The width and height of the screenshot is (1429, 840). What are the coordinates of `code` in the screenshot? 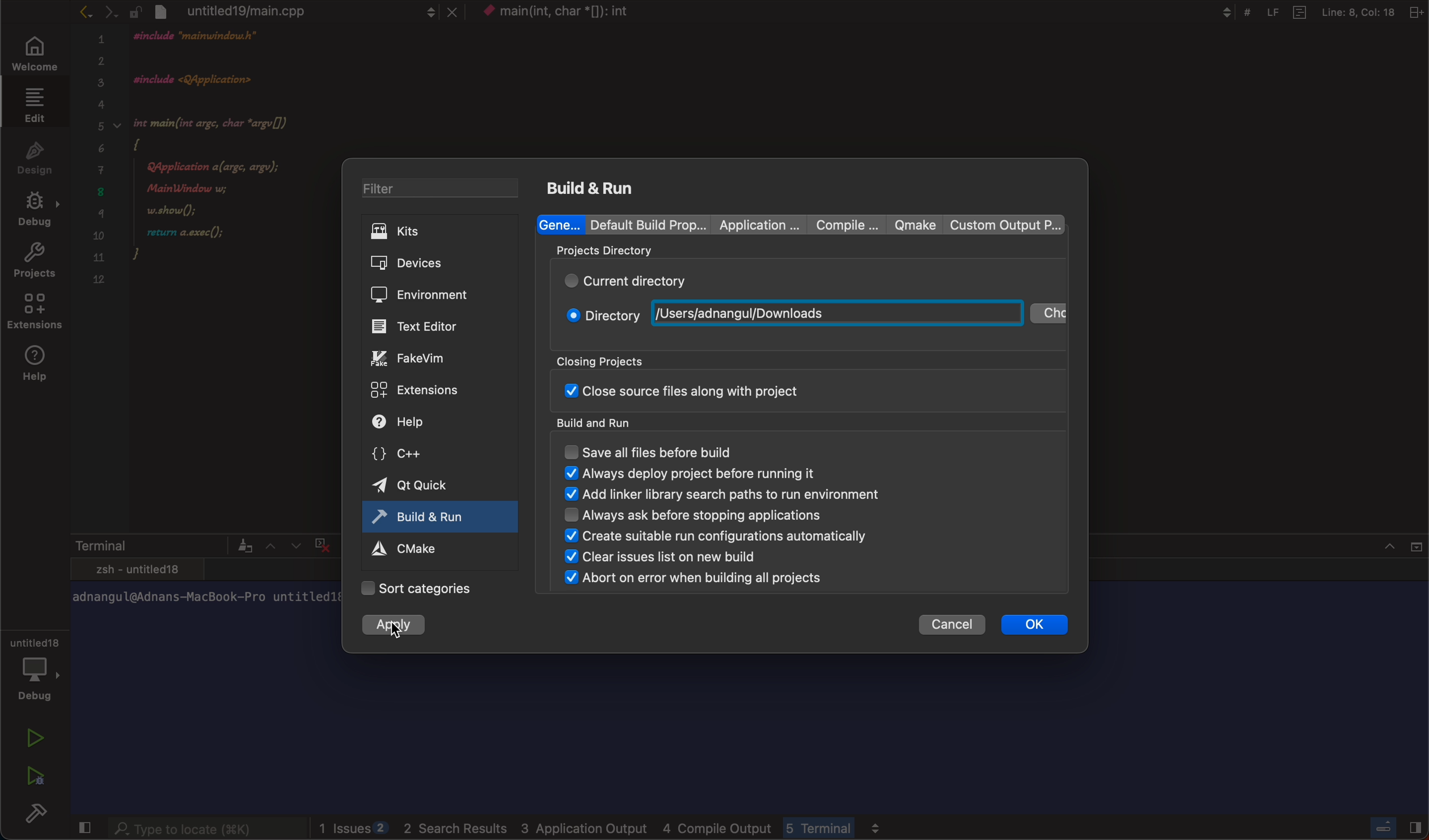 It's located at (206, 157).